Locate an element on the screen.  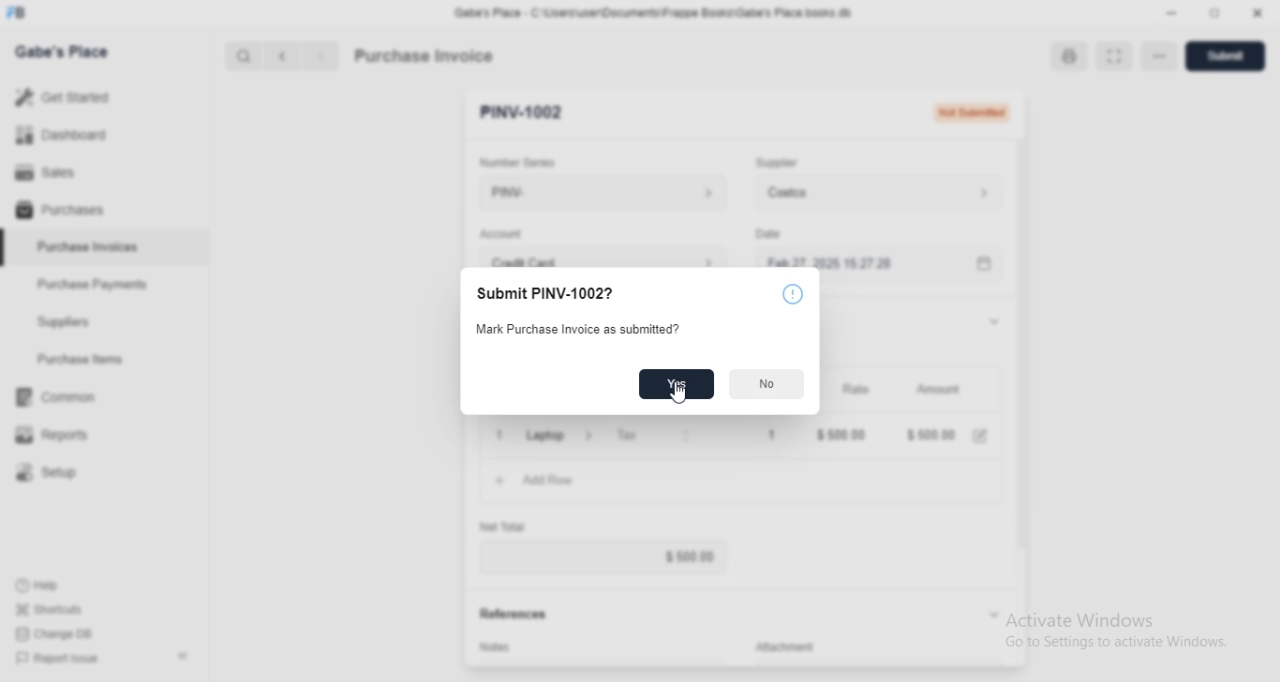
Purchase Invoice is located at coordinates (425, 55).